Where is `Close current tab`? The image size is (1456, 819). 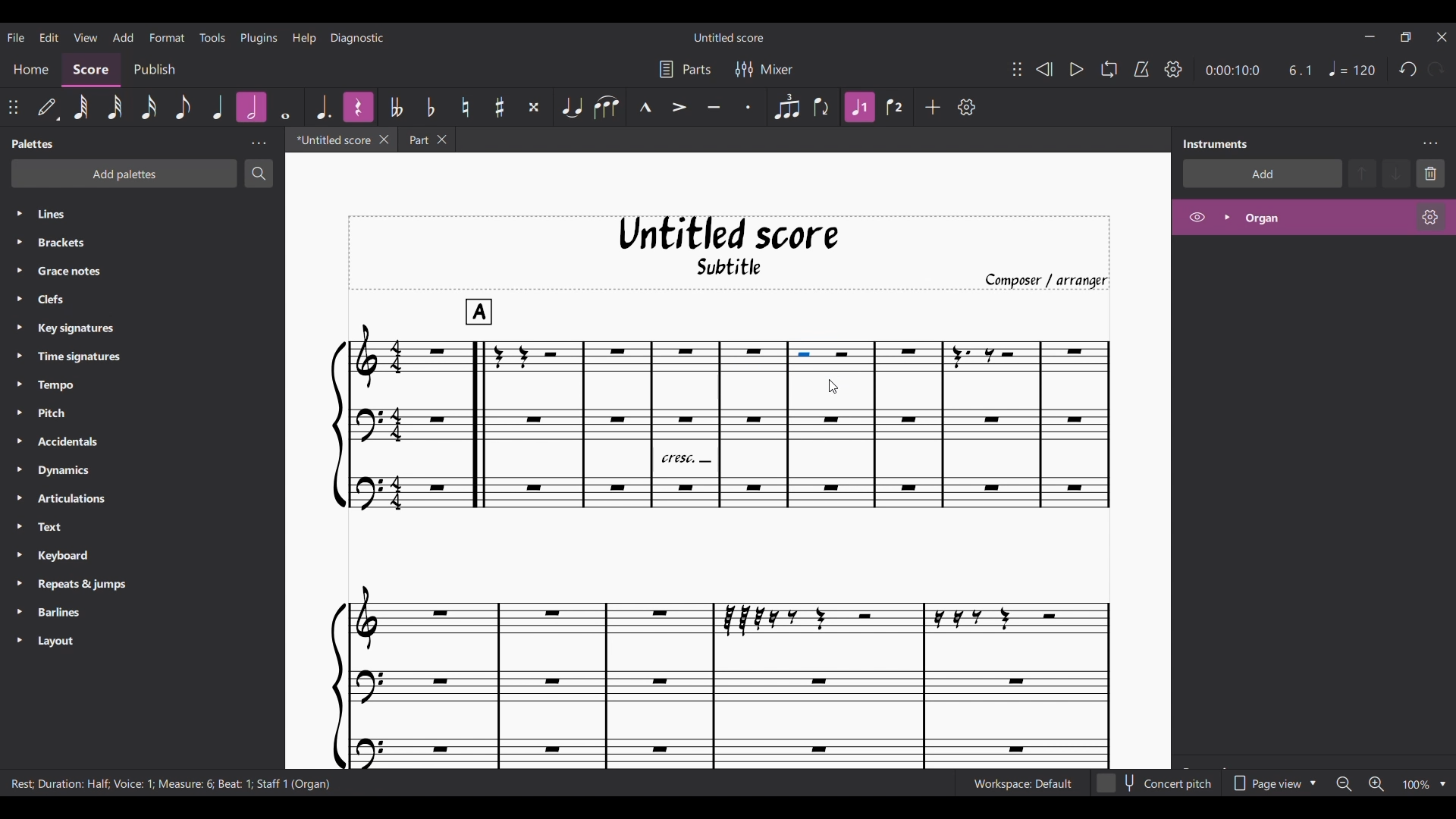
Close current tab is located at coordinates (384, 139).